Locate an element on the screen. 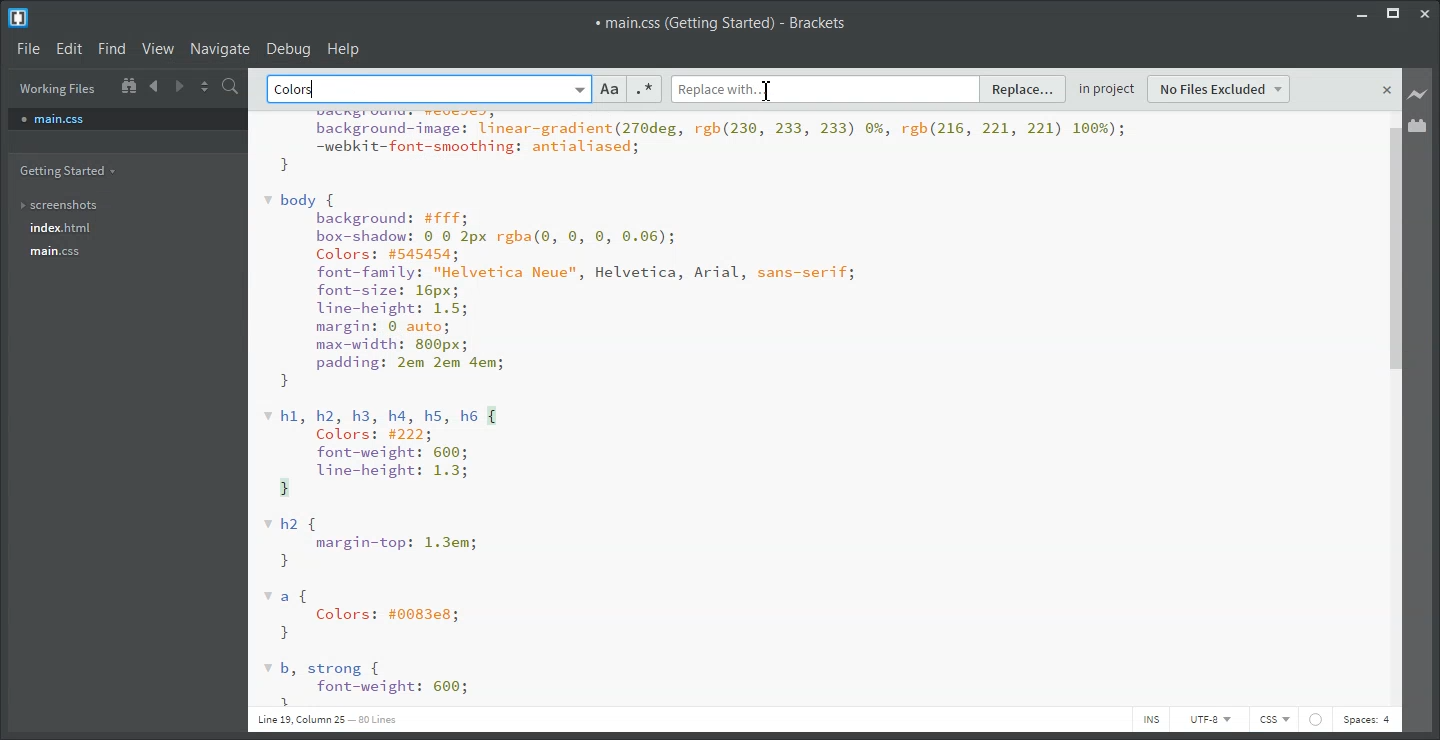 The width and height of the screenshot is (1440, 740). main.css is located at coordinates (73, 251).